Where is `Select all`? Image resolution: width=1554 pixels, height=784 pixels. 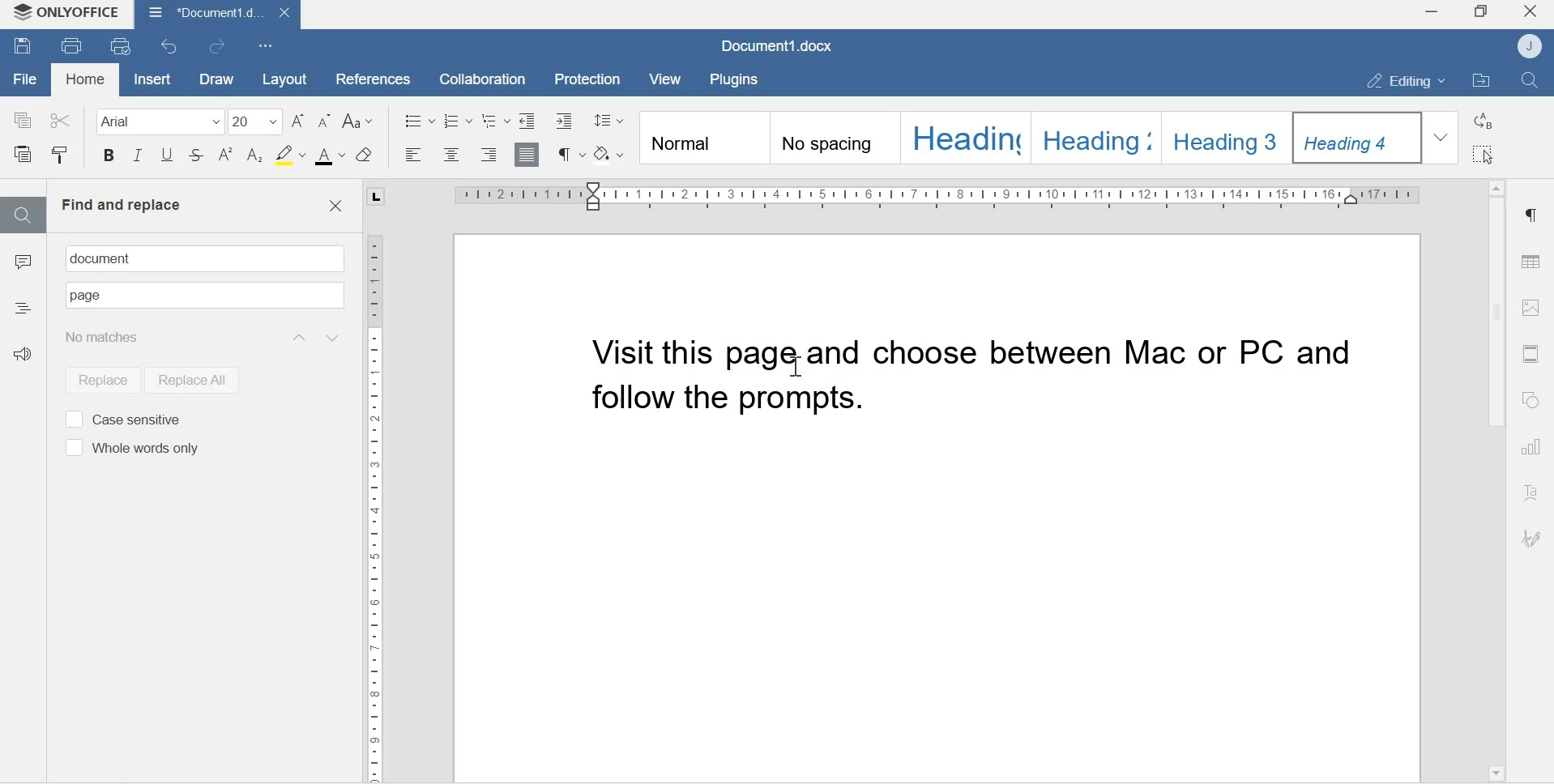
Select all is located at coordinates (1485, 155).